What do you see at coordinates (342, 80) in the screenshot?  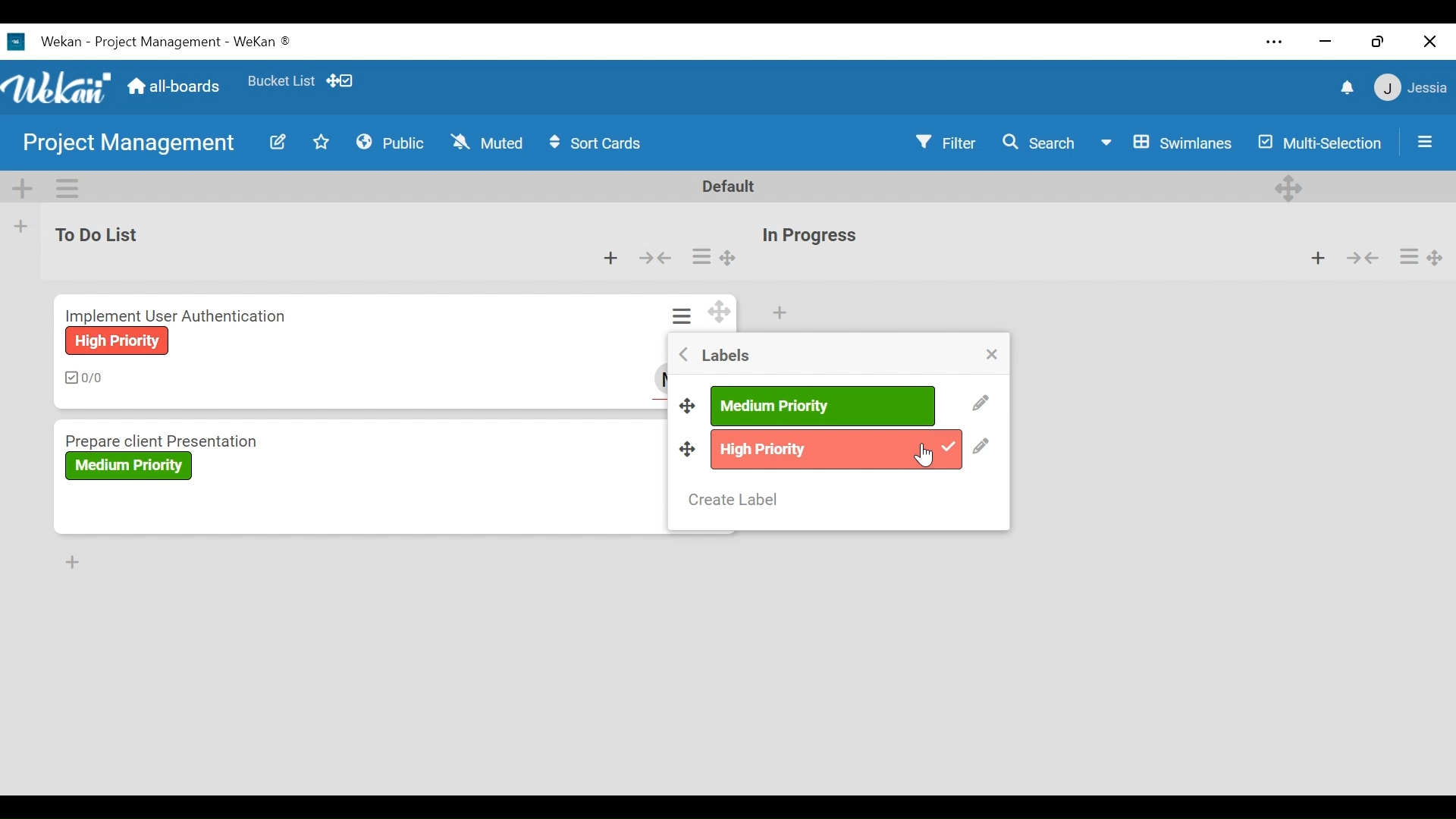 I see `Show desktop drag handles` at bounding box center [342, 80].